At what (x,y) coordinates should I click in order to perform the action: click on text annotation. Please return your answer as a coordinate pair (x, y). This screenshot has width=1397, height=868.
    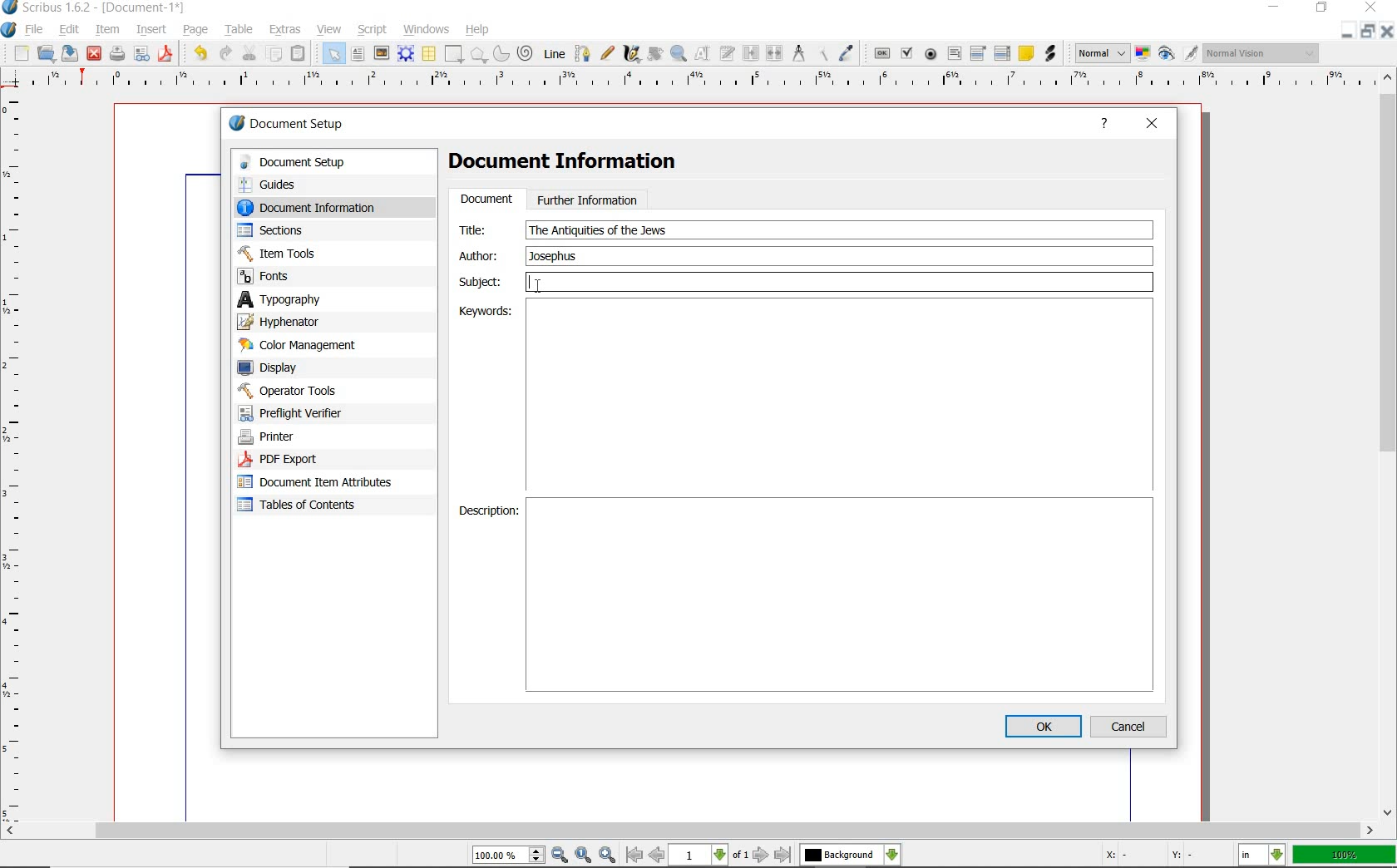
    Looking at the image, I should click on (1025, 55).